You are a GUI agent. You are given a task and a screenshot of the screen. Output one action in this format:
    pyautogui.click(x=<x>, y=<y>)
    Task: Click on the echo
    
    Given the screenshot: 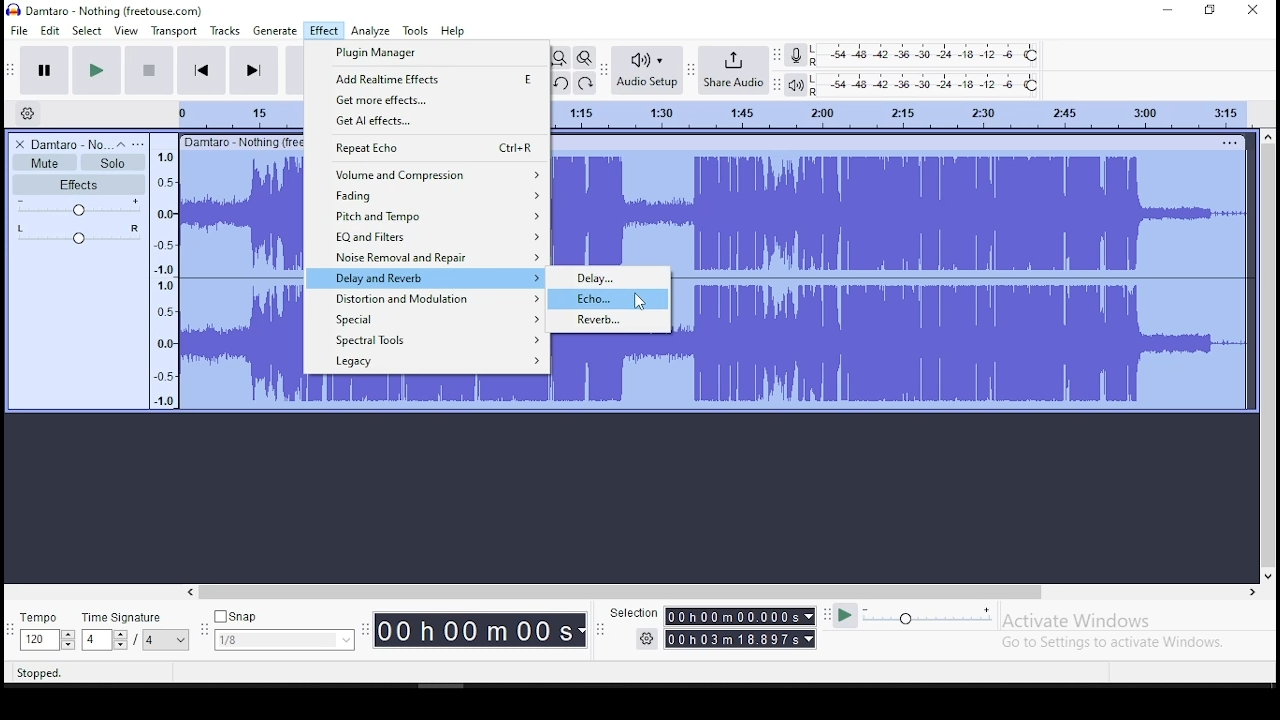 What is the action you would take?
    pyautogui.click(x=608, y=299)
    